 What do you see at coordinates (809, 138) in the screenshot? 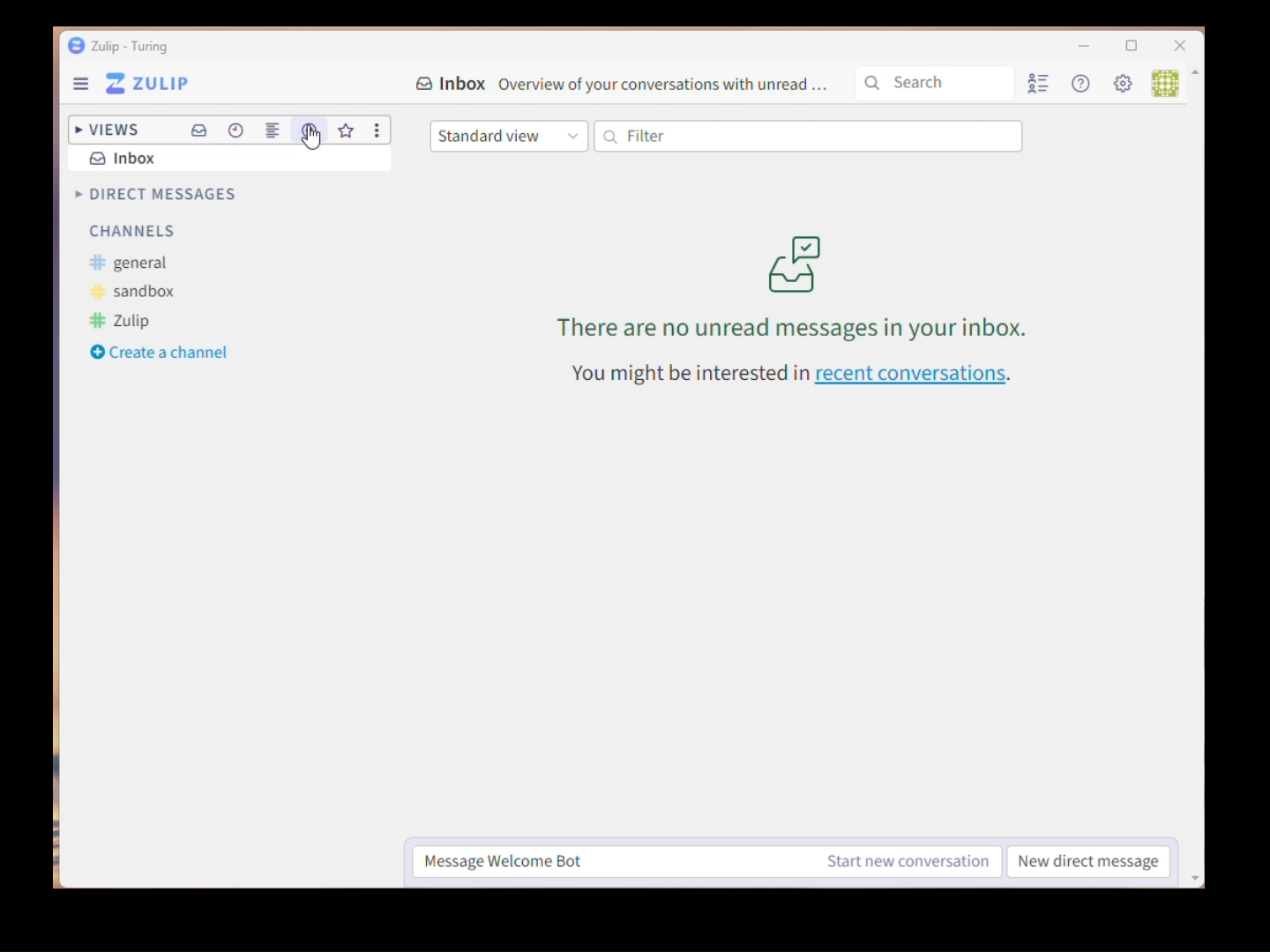
I see `Filter` at bounding box center [809, 138].